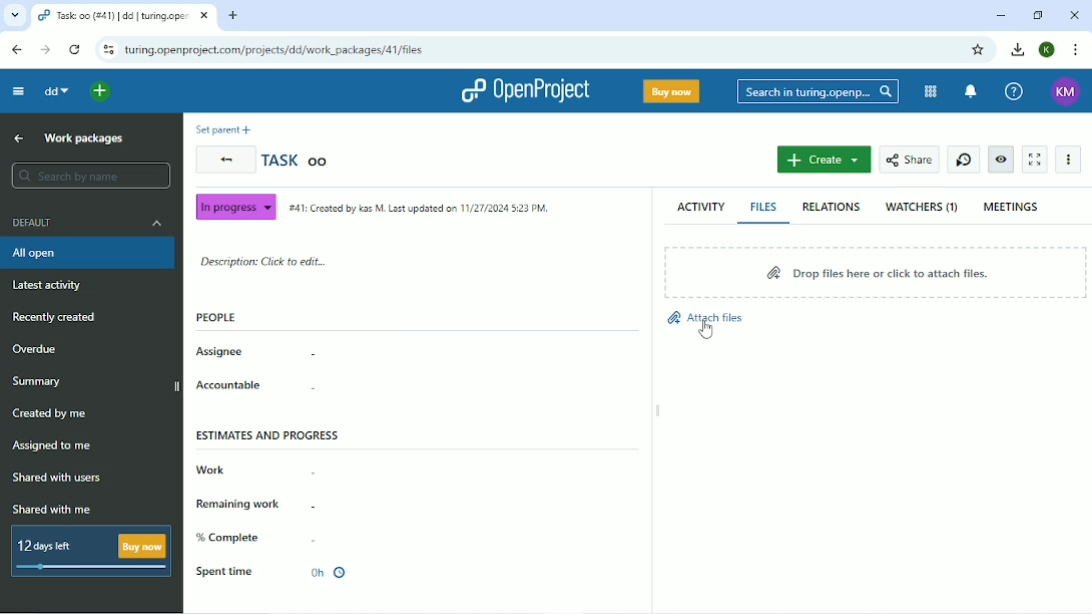 The width and height of the screenshot is (1092, 614). I want to click on Work, so click(213, 469).